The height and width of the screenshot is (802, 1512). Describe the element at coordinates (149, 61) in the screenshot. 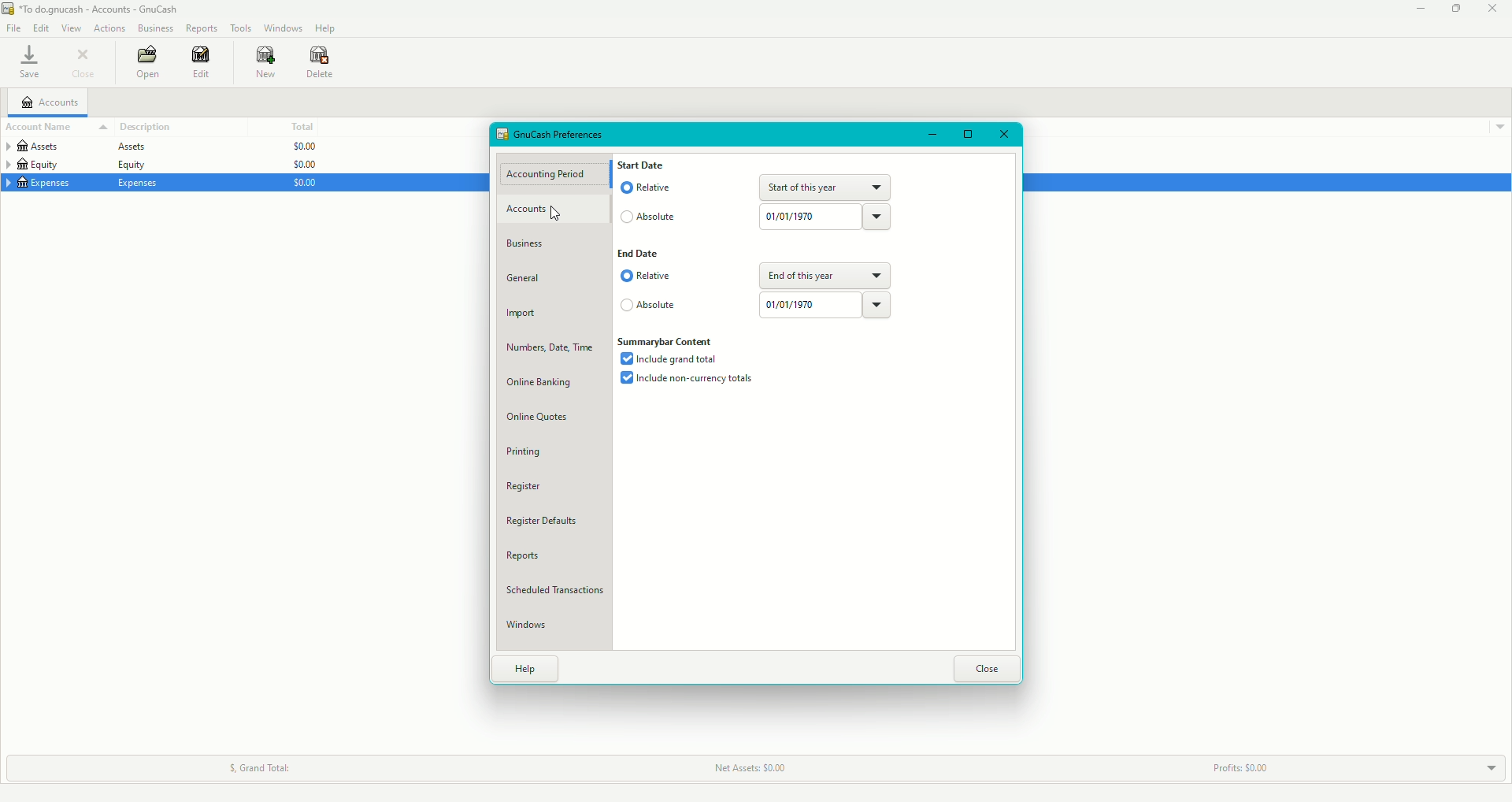

I see `Open` at that location.